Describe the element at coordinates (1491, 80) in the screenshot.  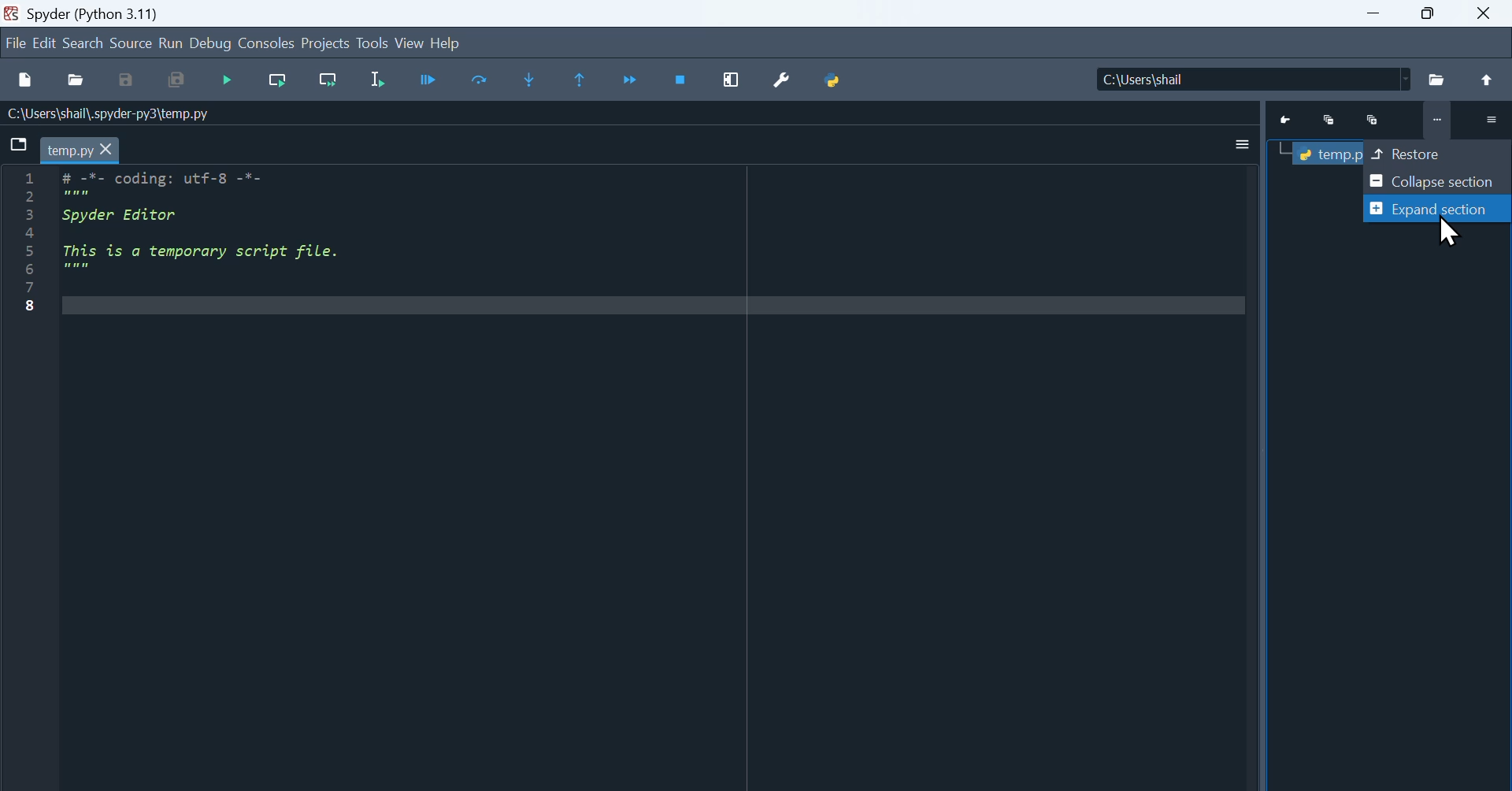
I see `Up to` at that location.